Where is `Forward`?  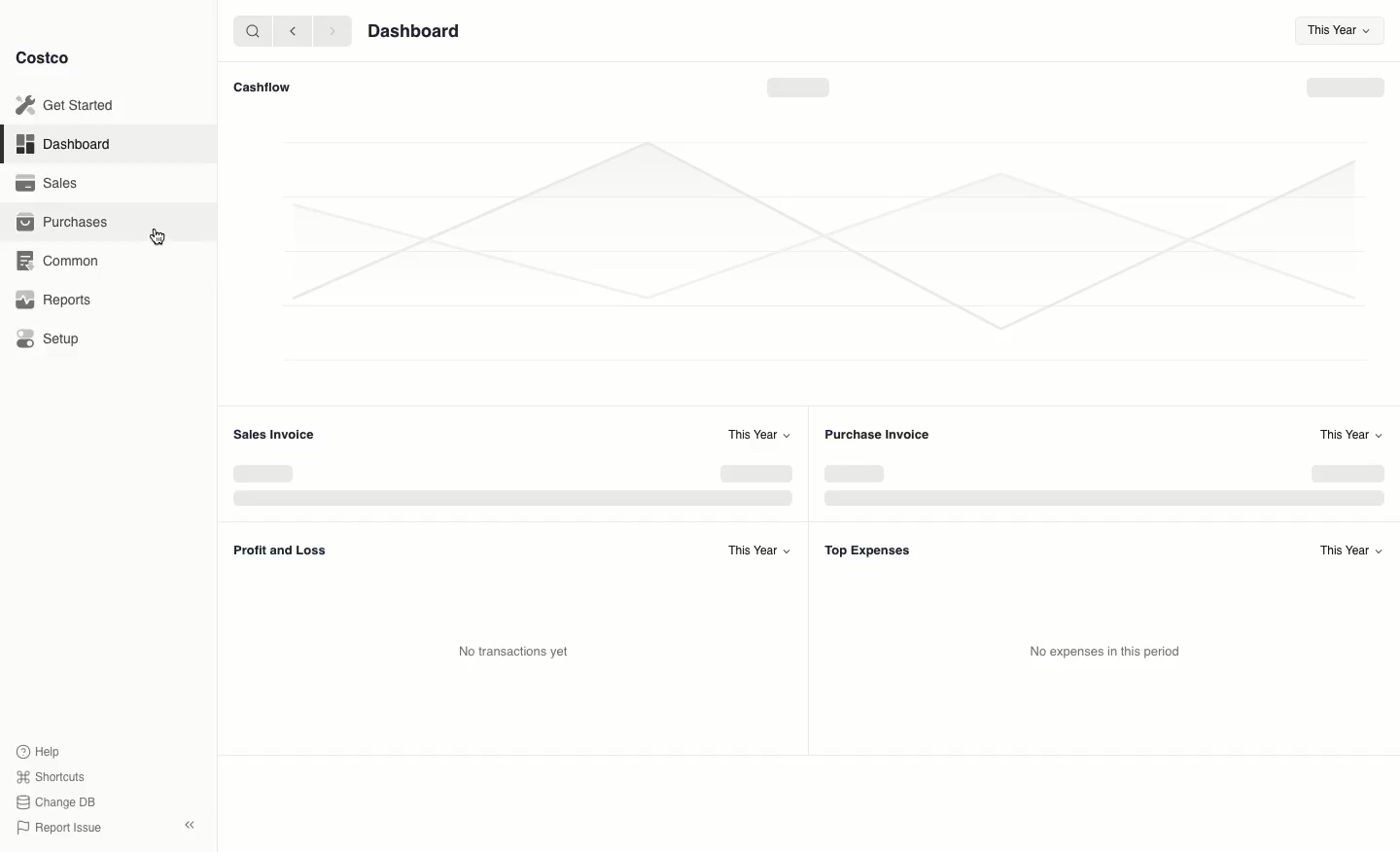
Forward is located at coordinates (331, 30).